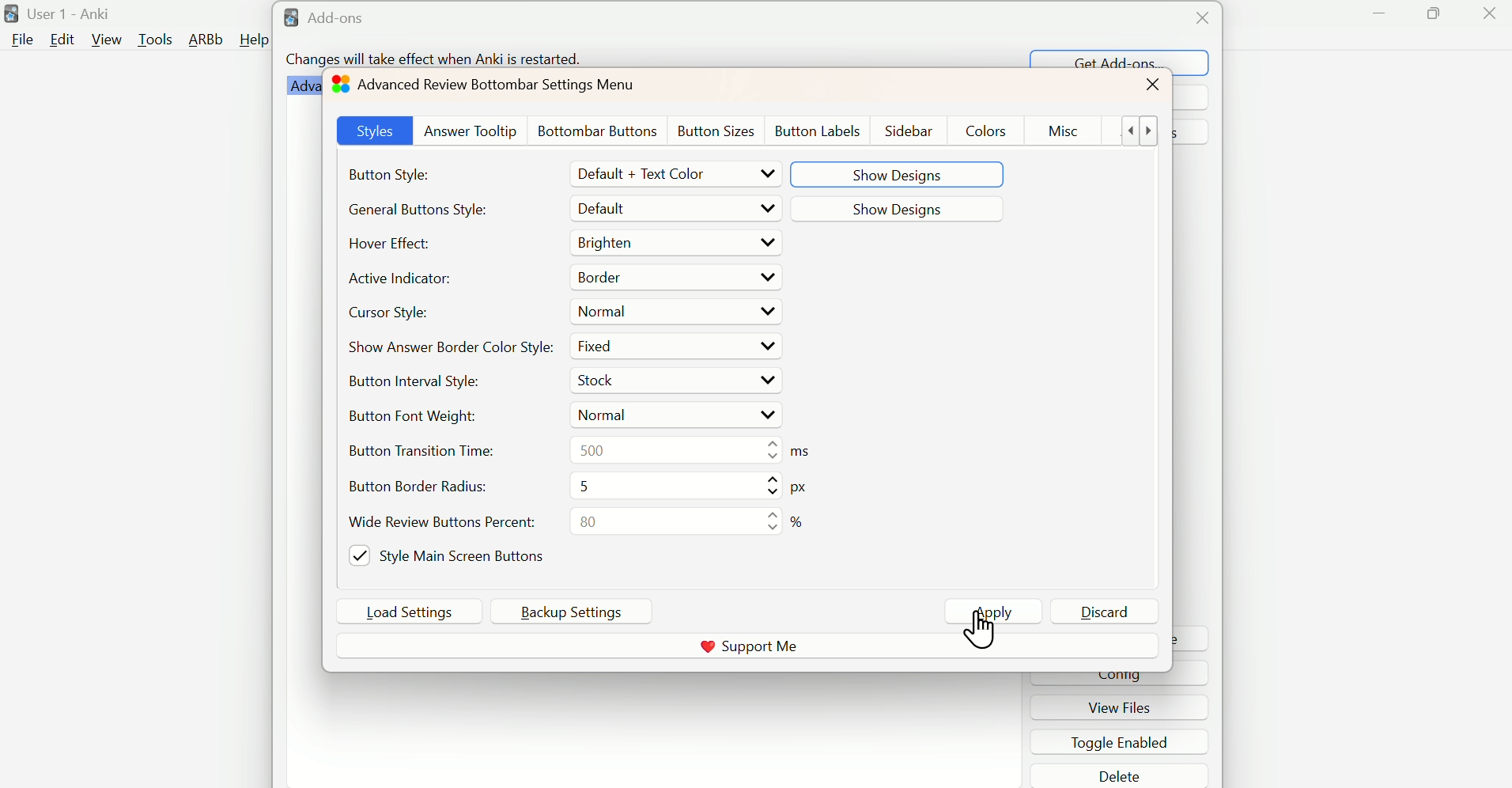 This screenshot has height=788, width=1512. Describe the element at coordinates (980, 133) in the screenshot. I see `Colors` at that location.